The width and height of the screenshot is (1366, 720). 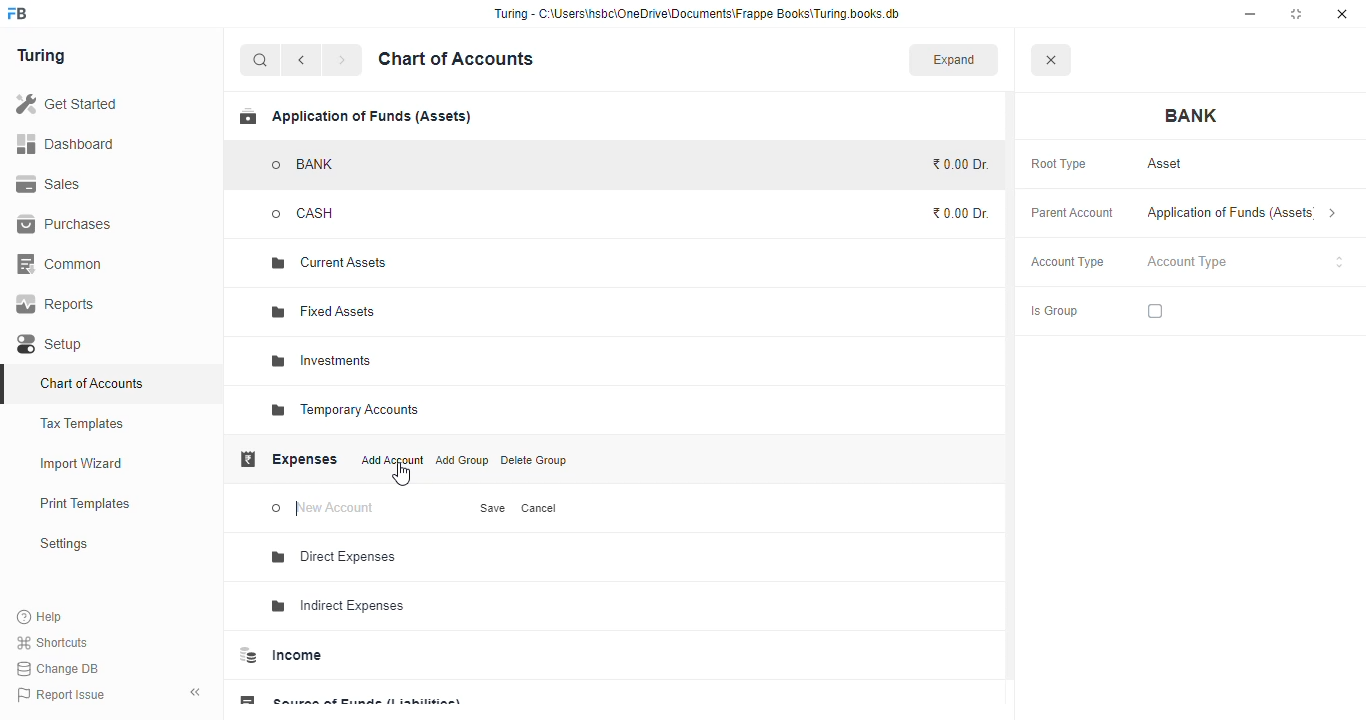 I want to click on source of funds (liabilities), so click(x=349, y=696).